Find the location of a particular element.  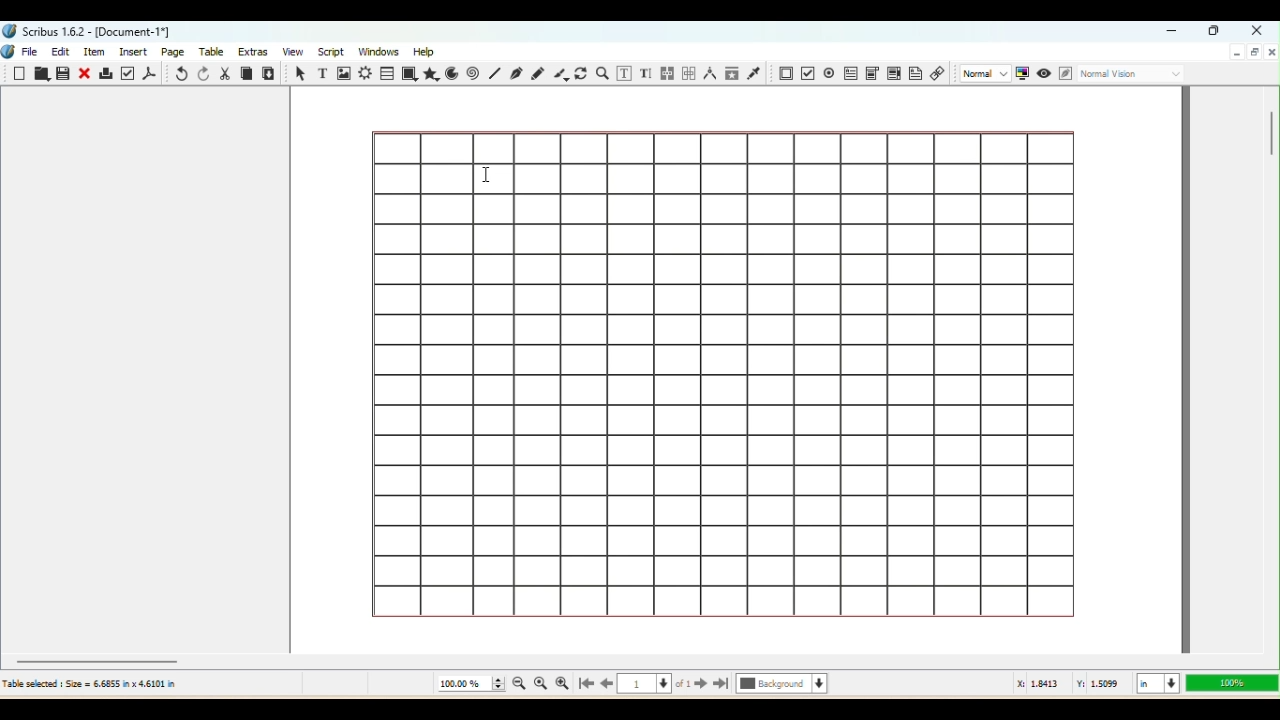

Render Frame is located at coordinates (365, 73).